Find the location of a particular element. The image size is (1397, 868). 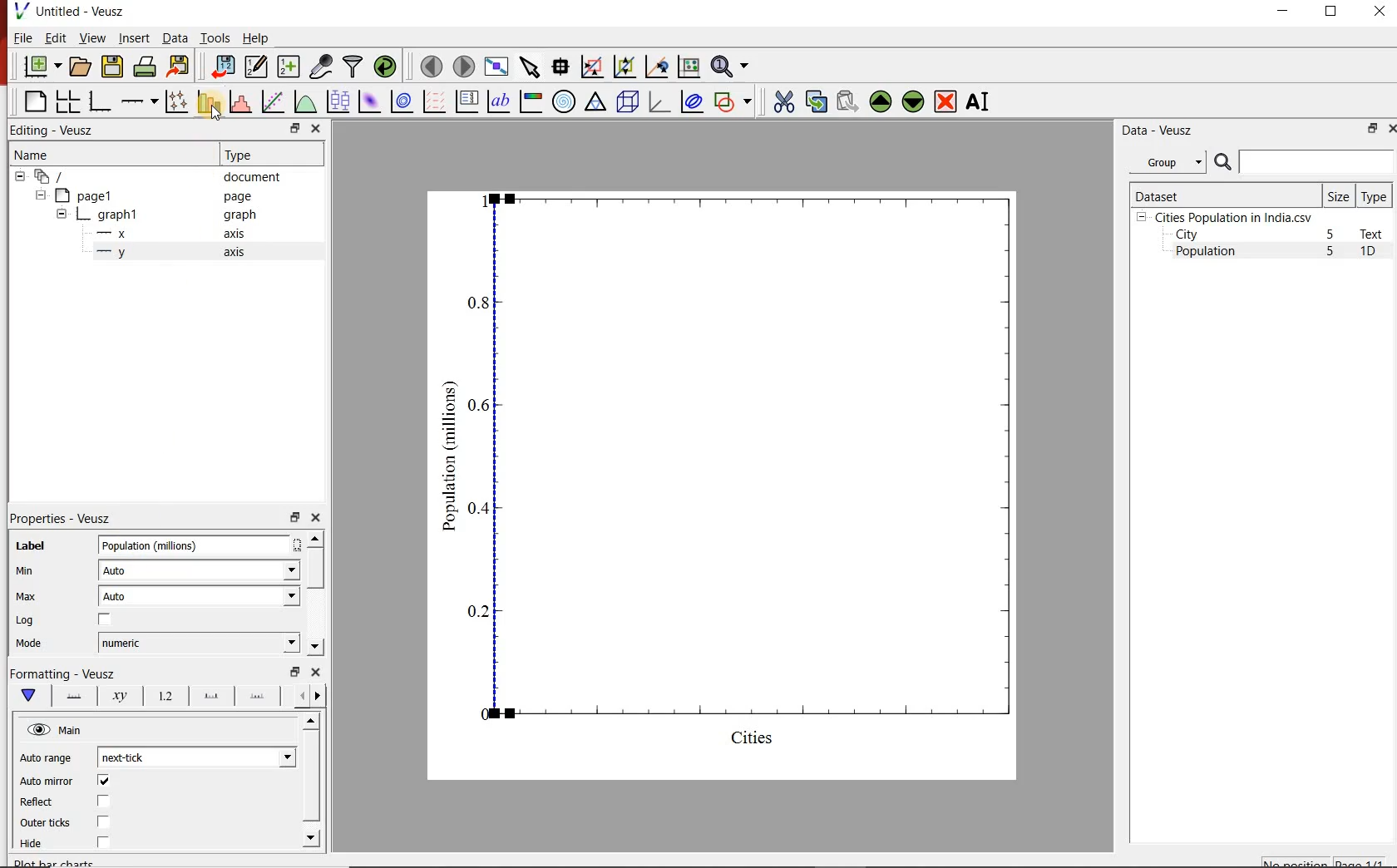

numeric is located at coordinates (198, 643).